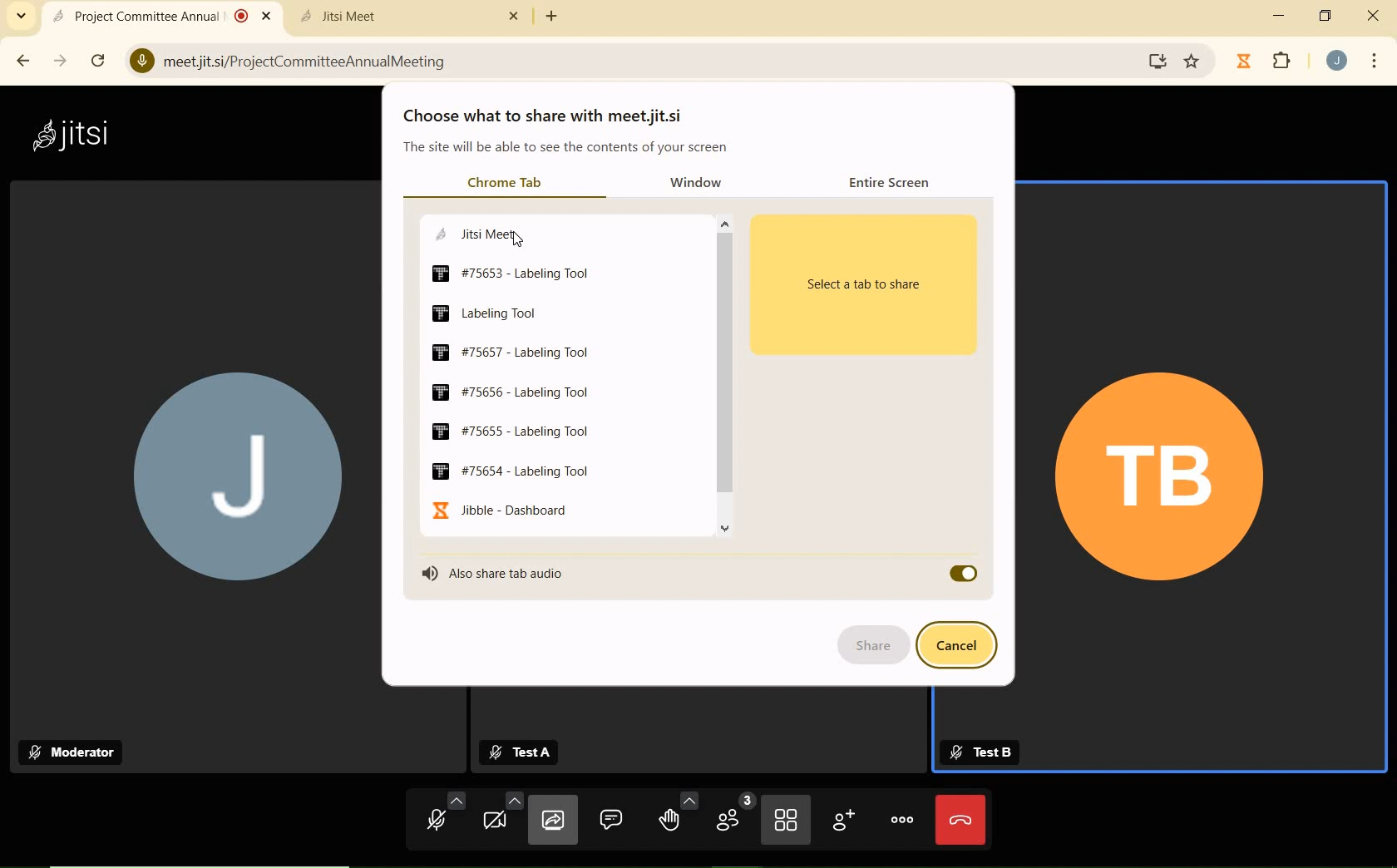  Describe the element at coordinates (842, 820) in the screenshot. I see `invite people` at that location.